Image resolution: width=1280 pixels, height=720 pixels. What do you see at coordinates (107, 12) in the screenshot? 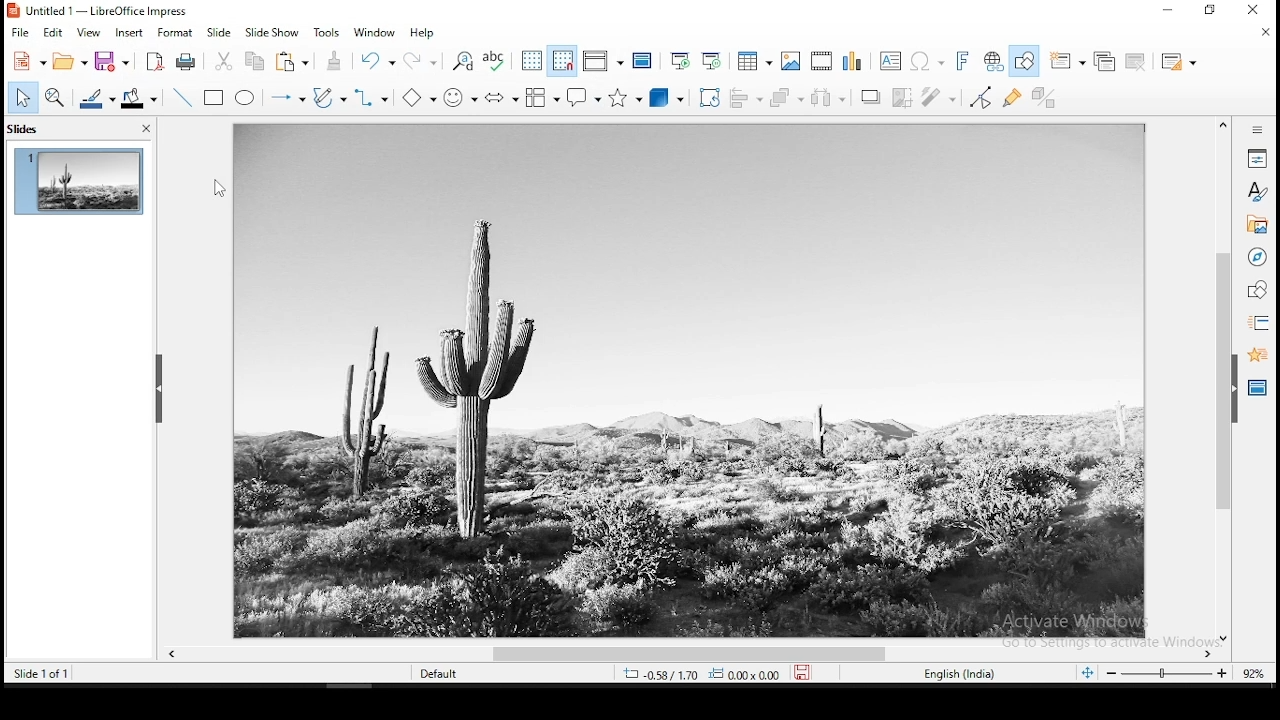
I see `icon and filename` at bounding box center [107, 12].